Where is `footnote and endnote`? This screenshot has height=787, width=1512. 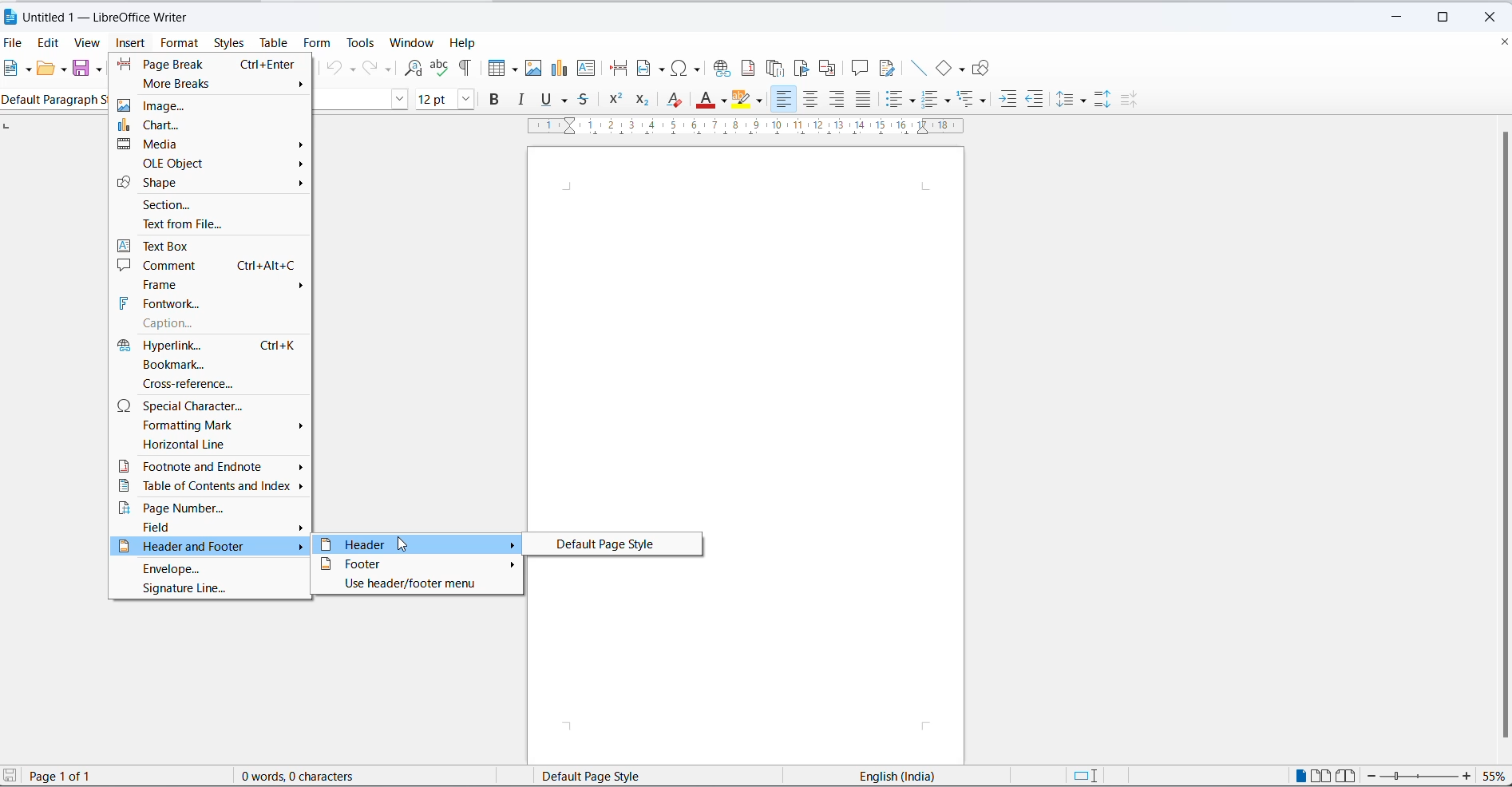 footnote and endnote is located at coordinates (212, 467).